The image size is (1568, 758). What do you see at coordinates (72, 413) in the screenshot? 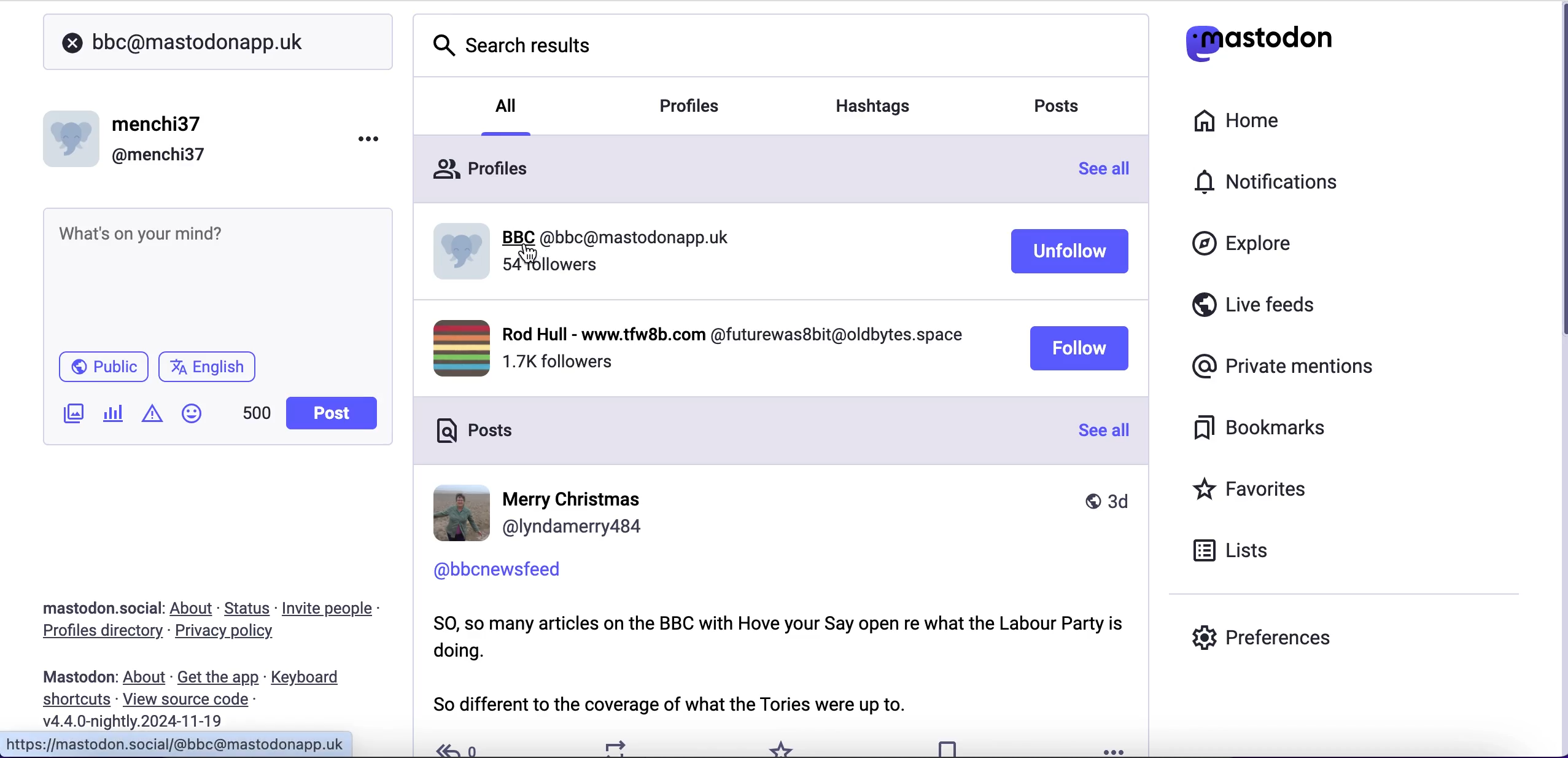
I see `add an image` at bounding box center [72, 413].